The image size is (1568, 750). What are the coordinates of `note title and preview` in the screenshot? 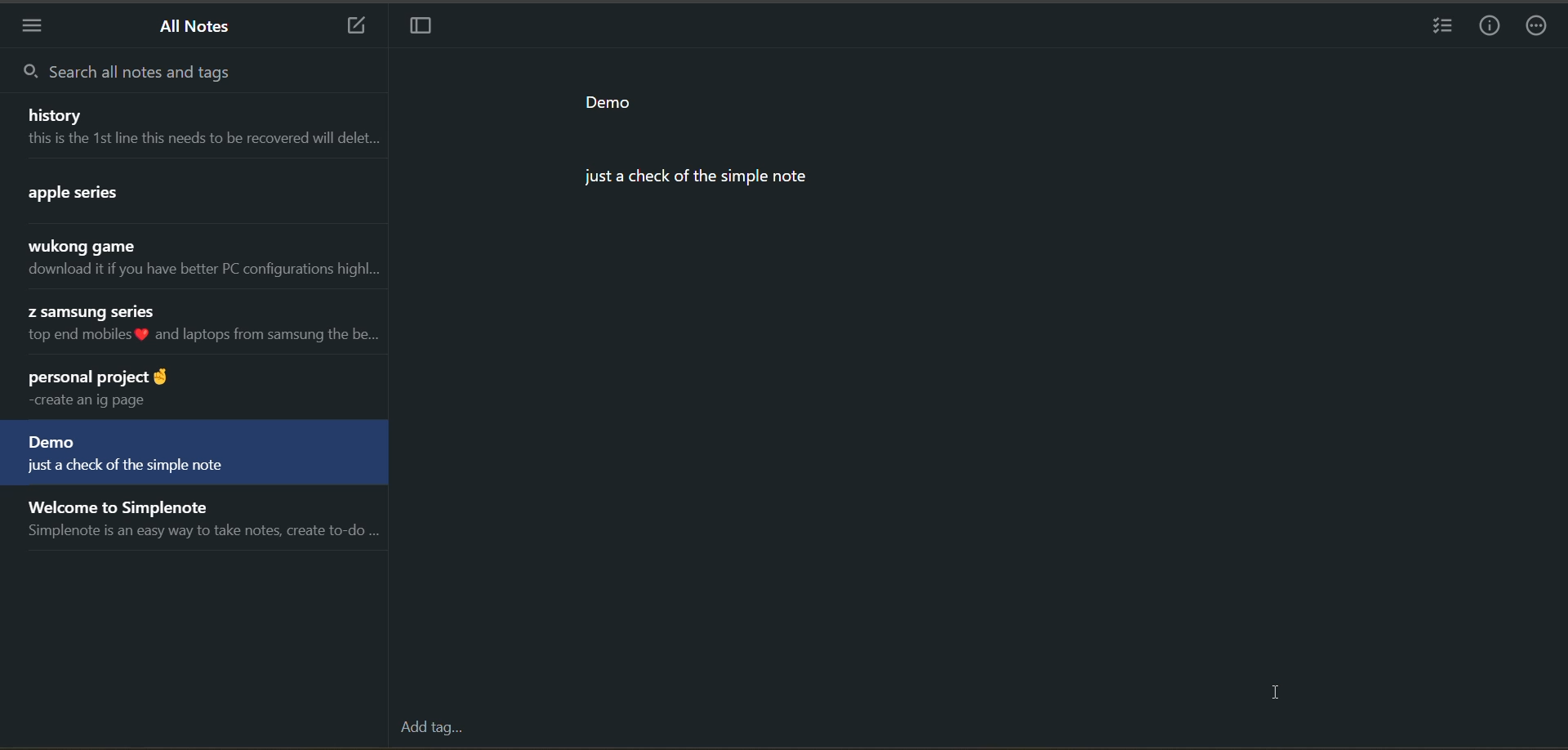 It's located at (194, 454).